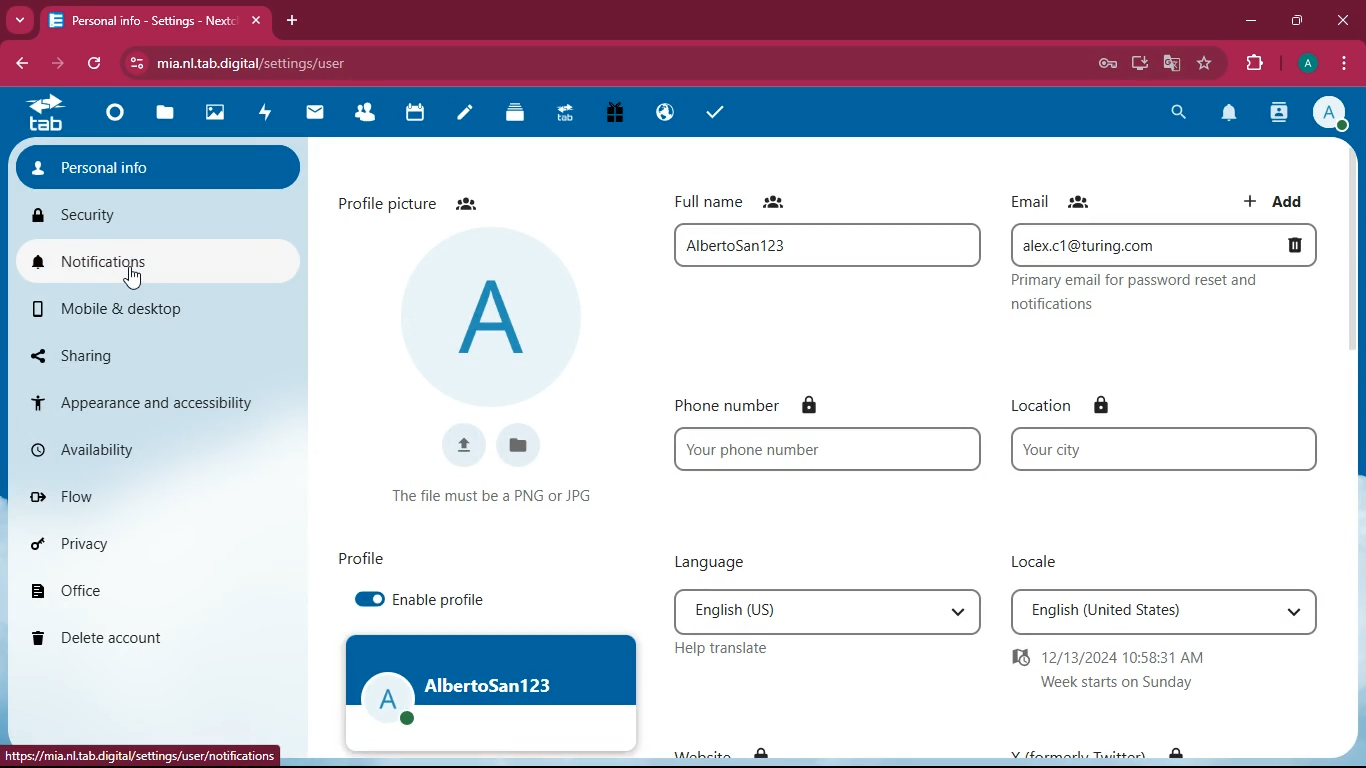  What do you see at coordinates (468, 203) in the screenshot?
I see `friends` at bounding box center [468, 203].